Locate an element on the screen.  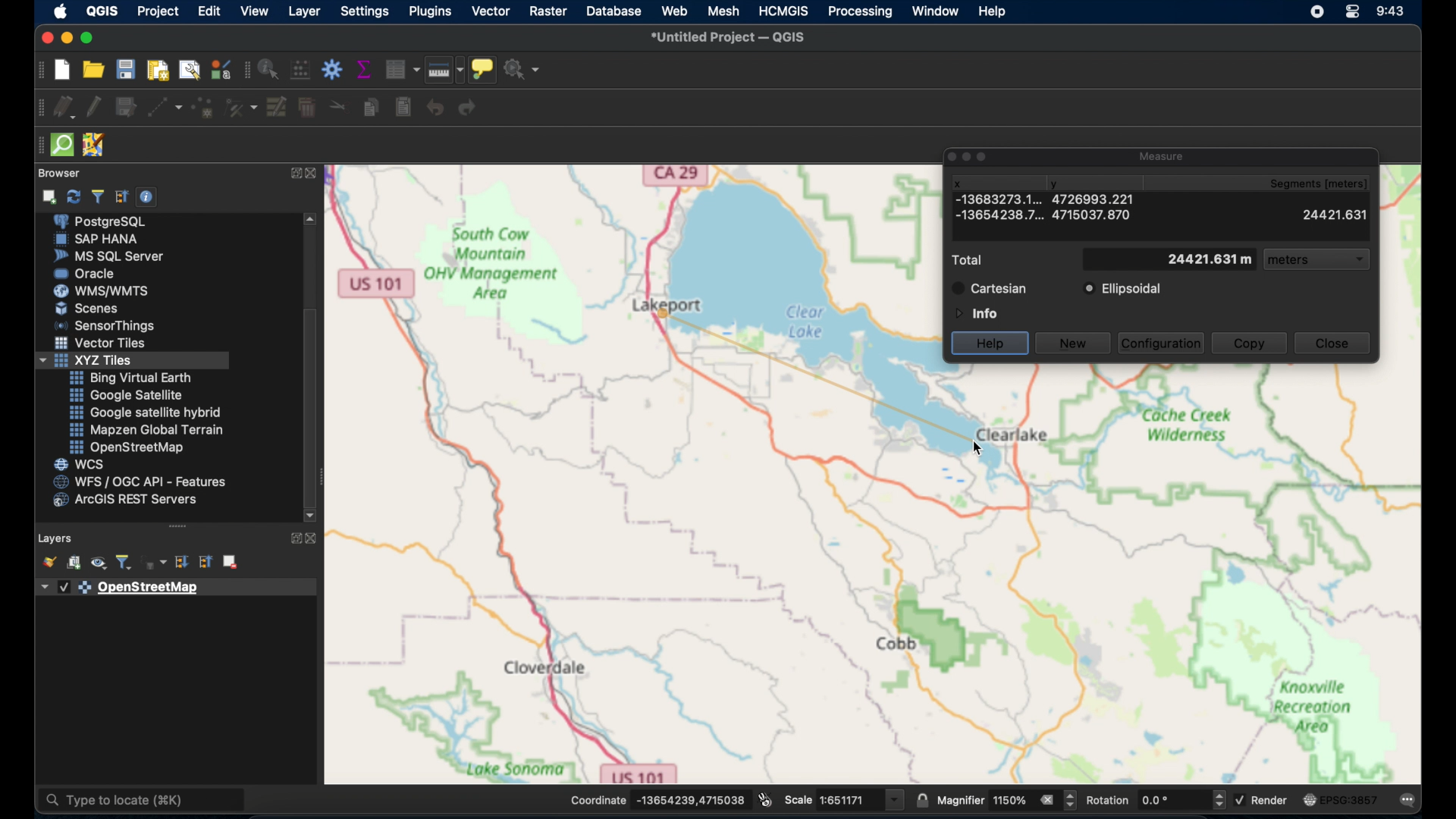
-13683273.1... 4726993.221 is located at coordinates (988, 199).